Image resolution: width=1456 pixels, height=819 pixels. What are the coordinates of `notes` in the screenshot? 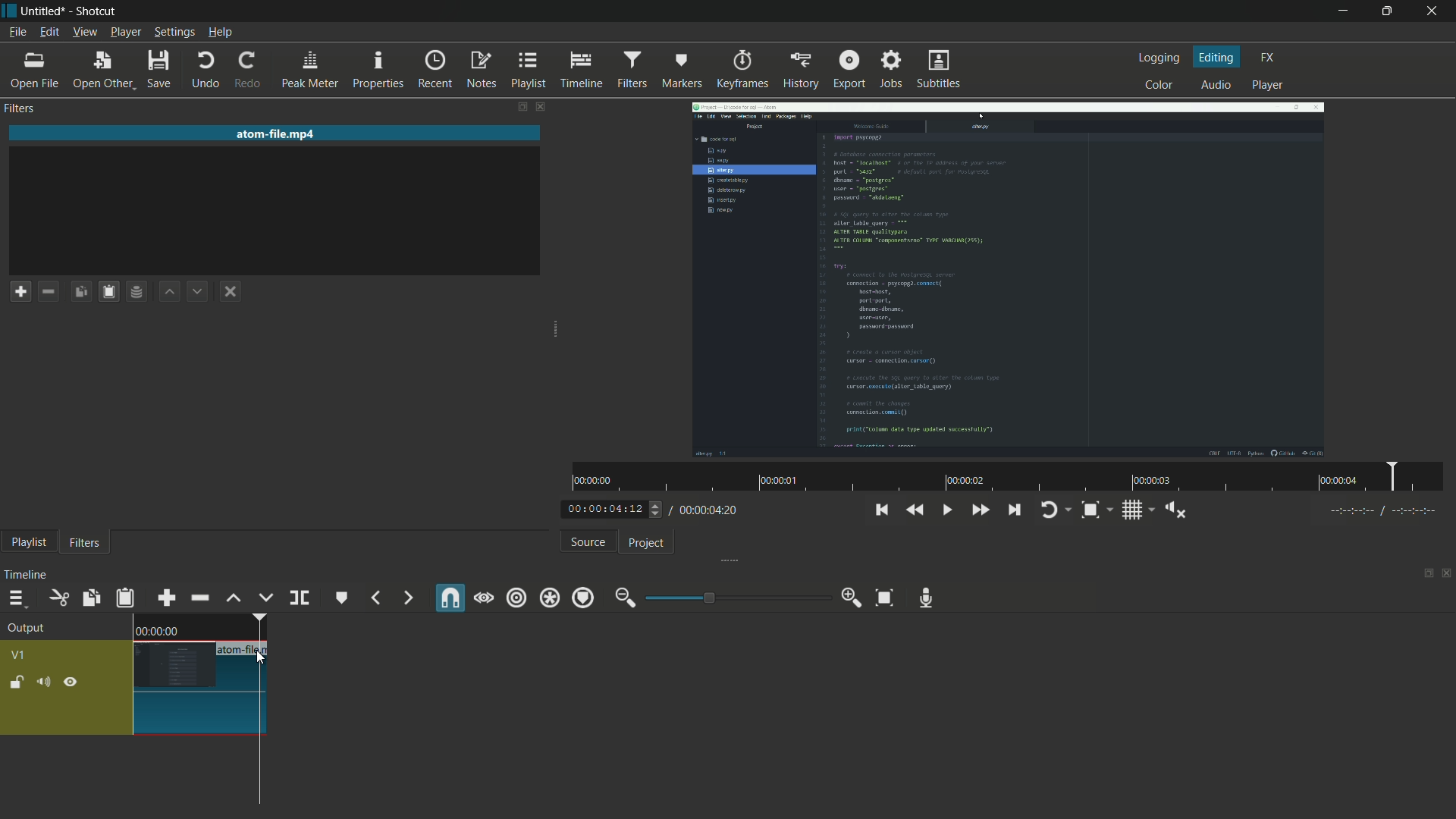 It's located at (479, 71).